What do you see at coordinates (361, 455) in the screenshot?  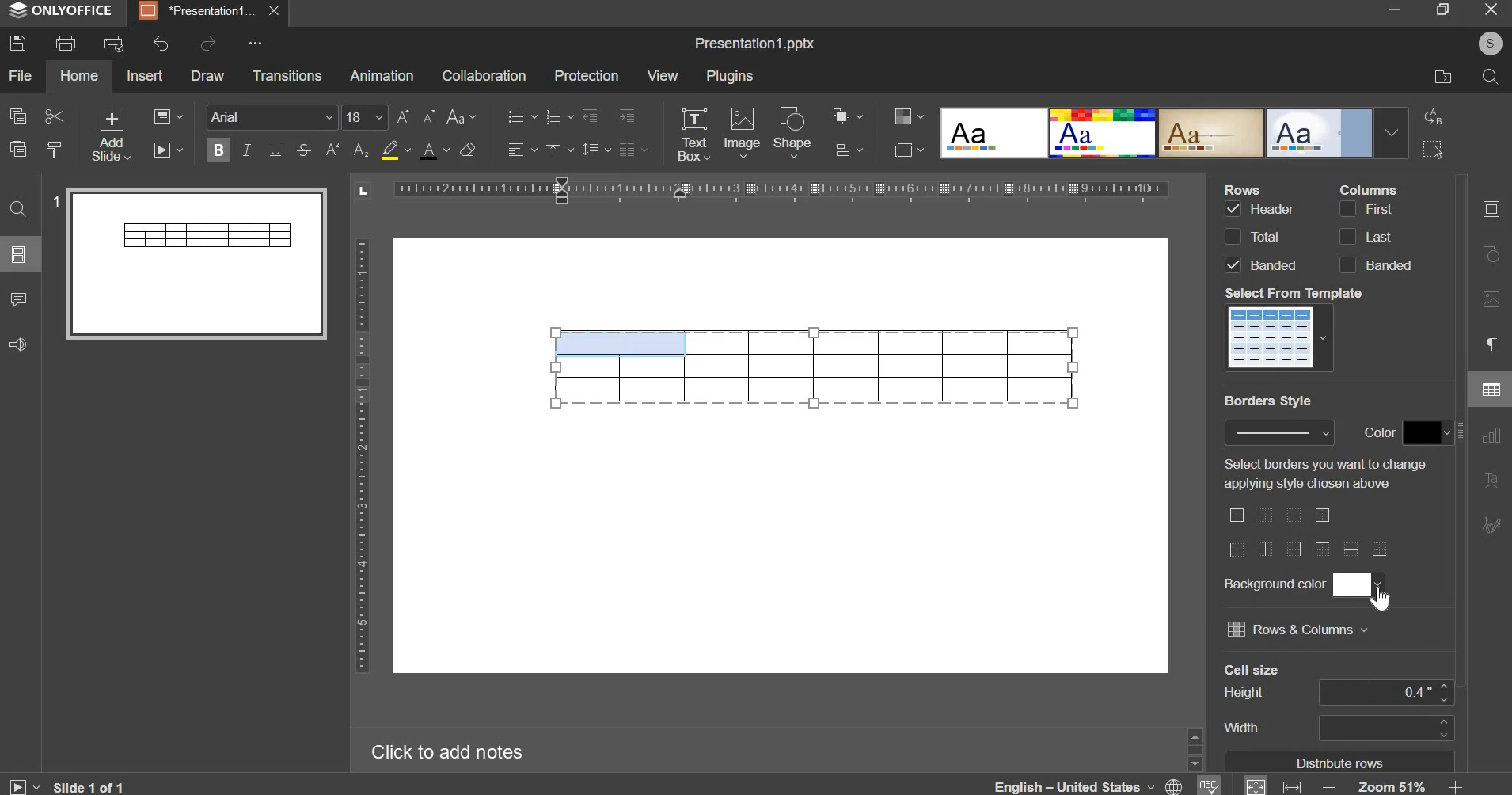 I see `vertical scale` at bounding box center [361, 455].